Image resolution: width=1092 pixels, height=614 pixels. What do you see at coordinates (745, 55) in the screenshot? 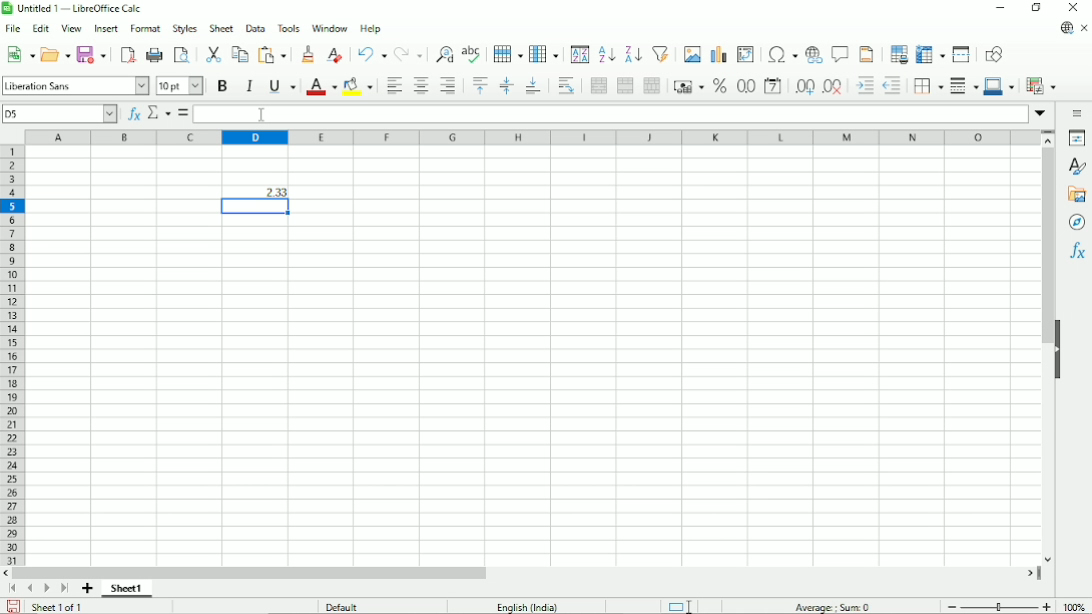
I see `Insert or edit pivot table` at bounding box center [745, 55].